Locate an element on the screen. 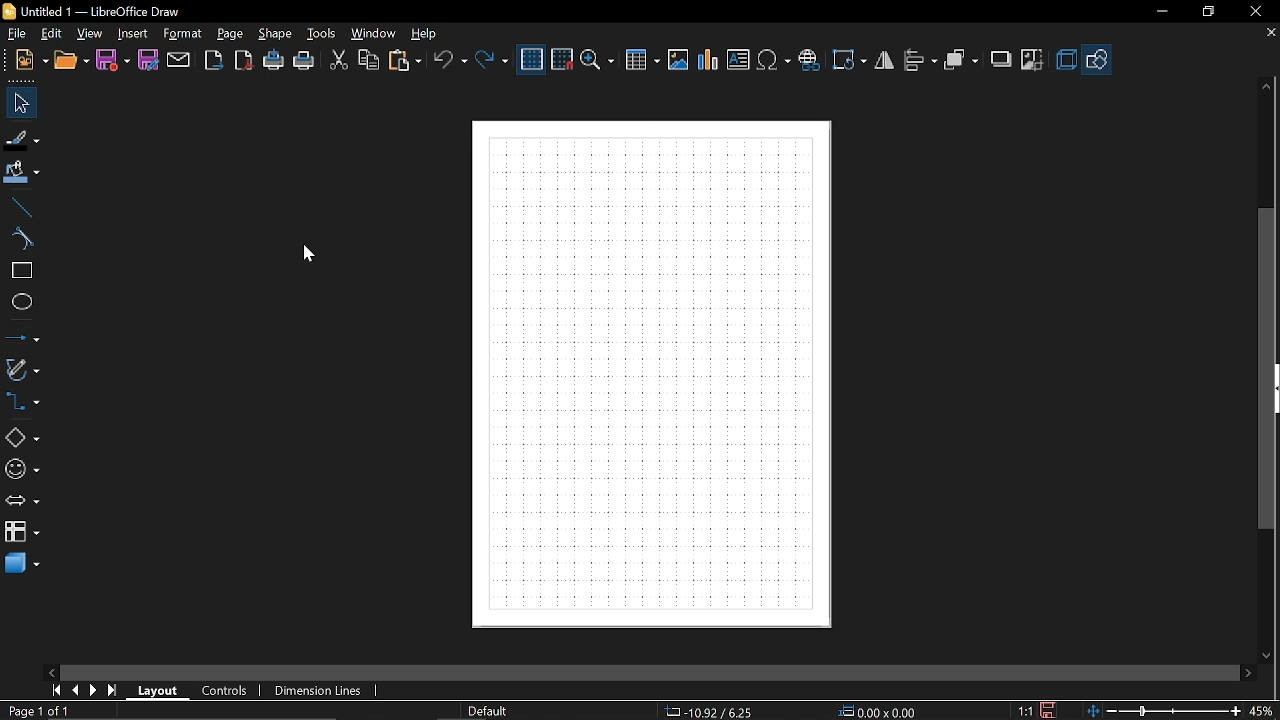  Flip is located at coordinates (885, 59).